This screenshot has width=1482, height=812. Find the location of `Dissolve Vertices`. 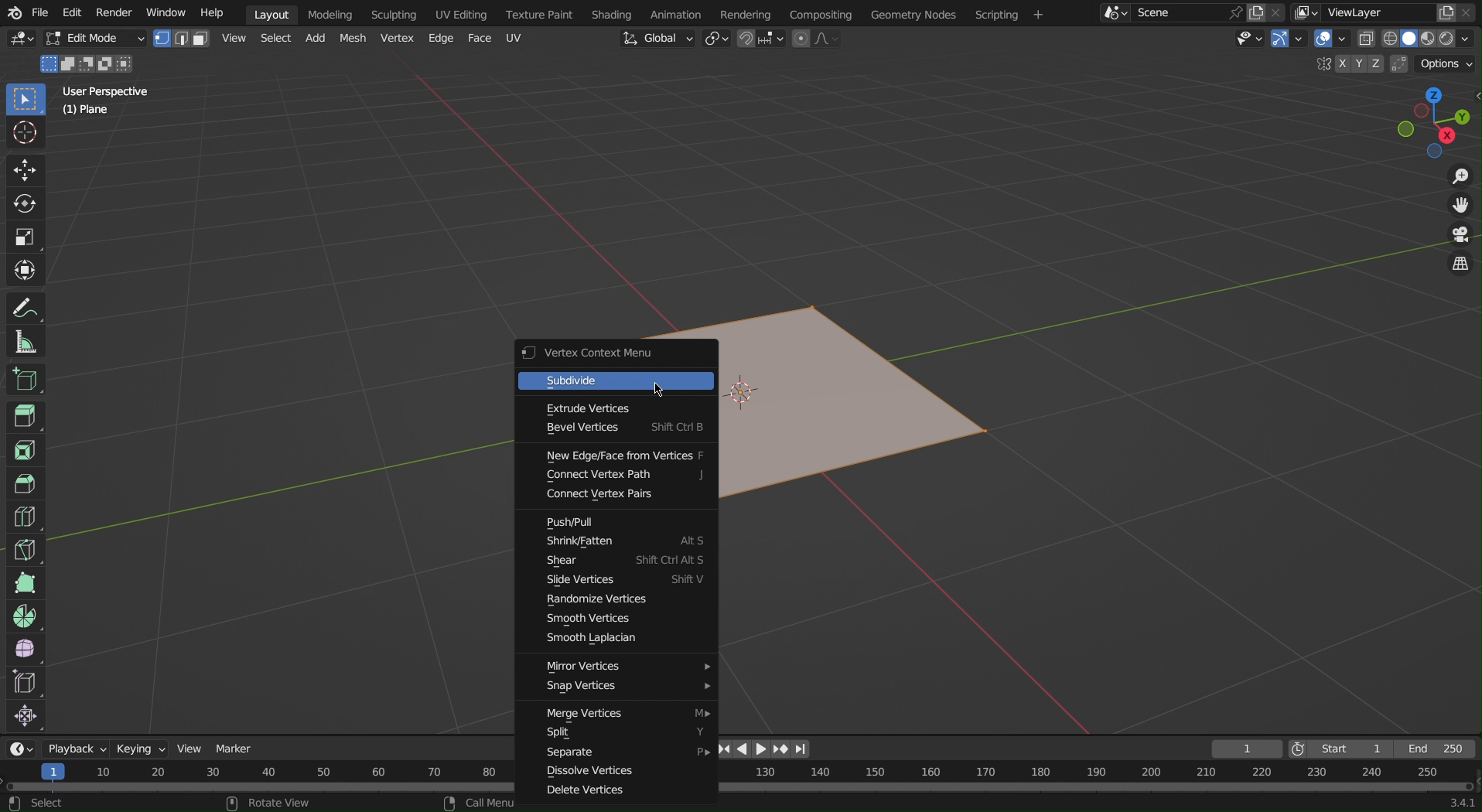

Dissolve Vertices is located at coordinates (620, 773).